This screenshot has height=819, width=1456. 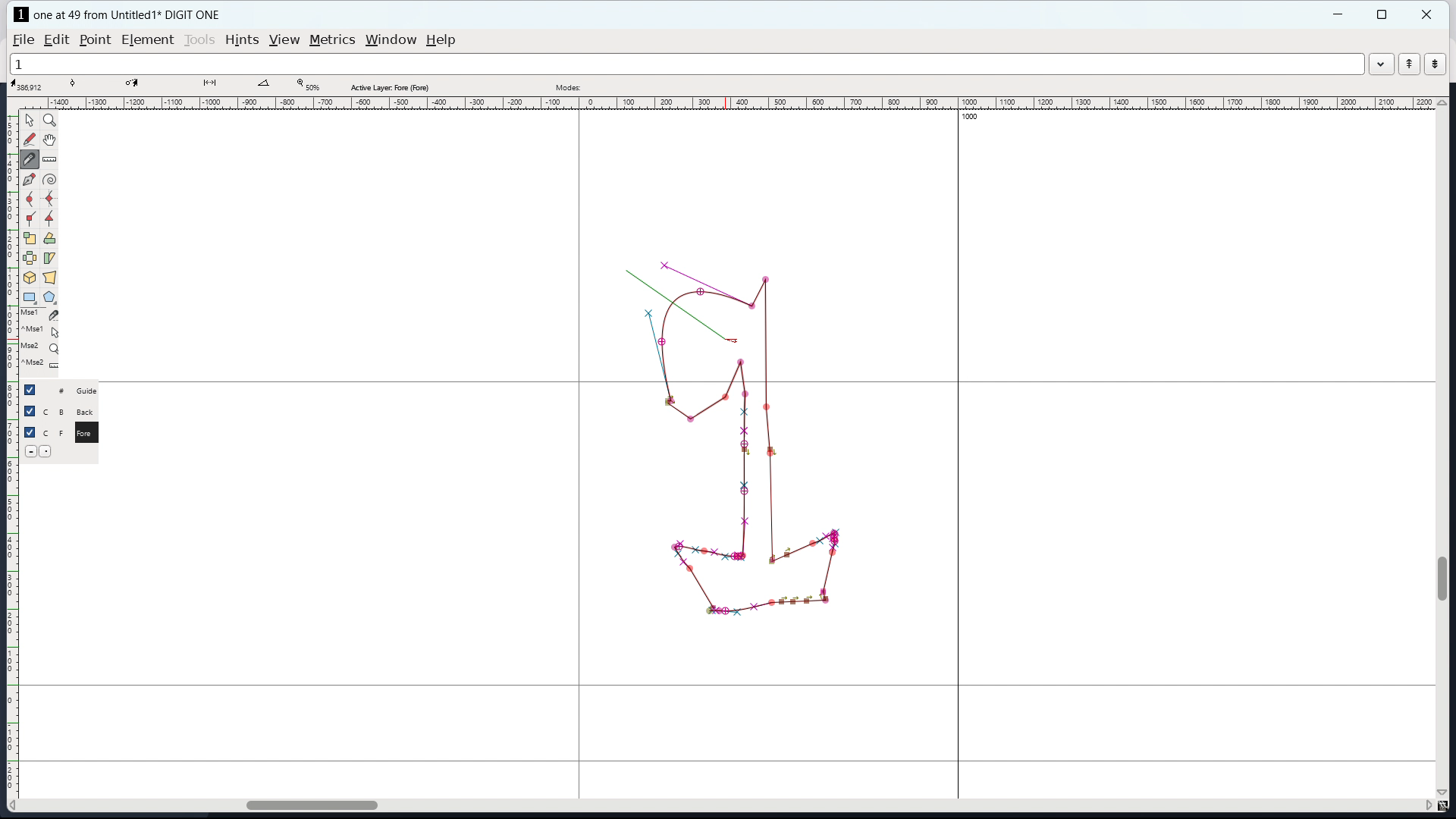 What do you see at coordinates (30, 297) in the screenshot?
I see `rectangle or ellipse` at bounding box center [30, 297].